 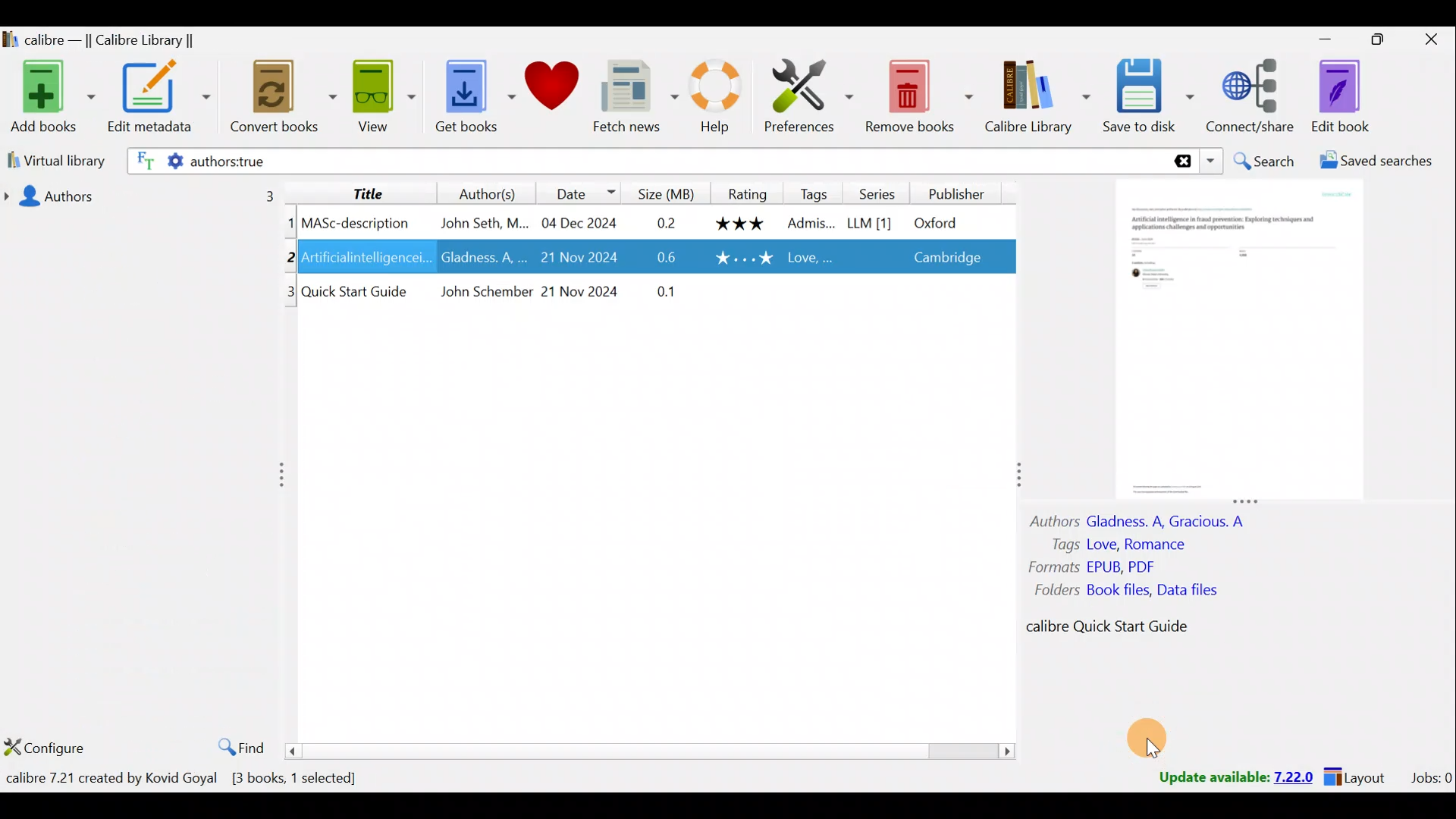 What do you see at coordinates (680, 159) in the screenshot?
I see `Search bar` at bounding box center [680, 159].